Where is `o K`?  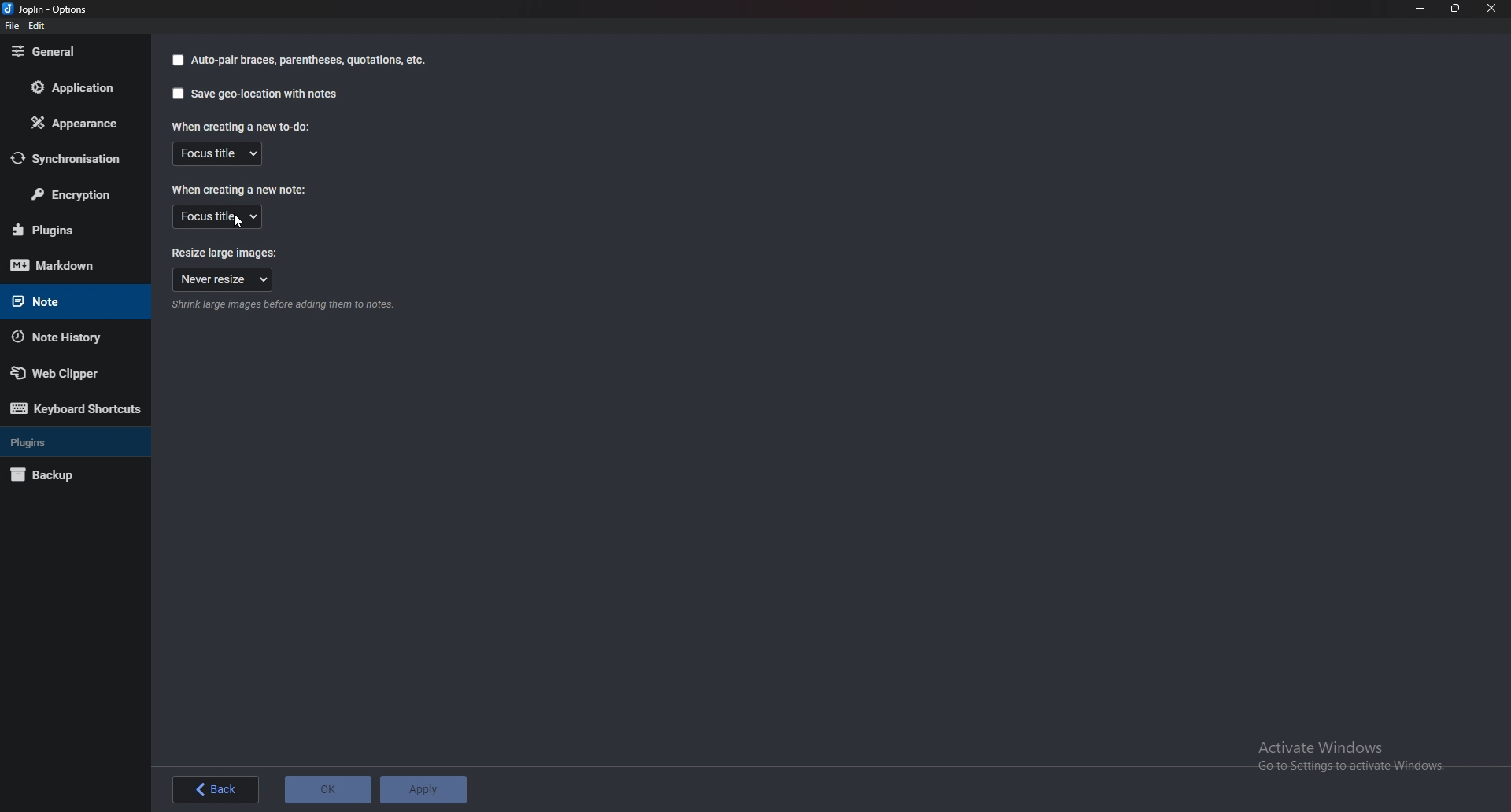
o K is located at coordinates (328, 789).